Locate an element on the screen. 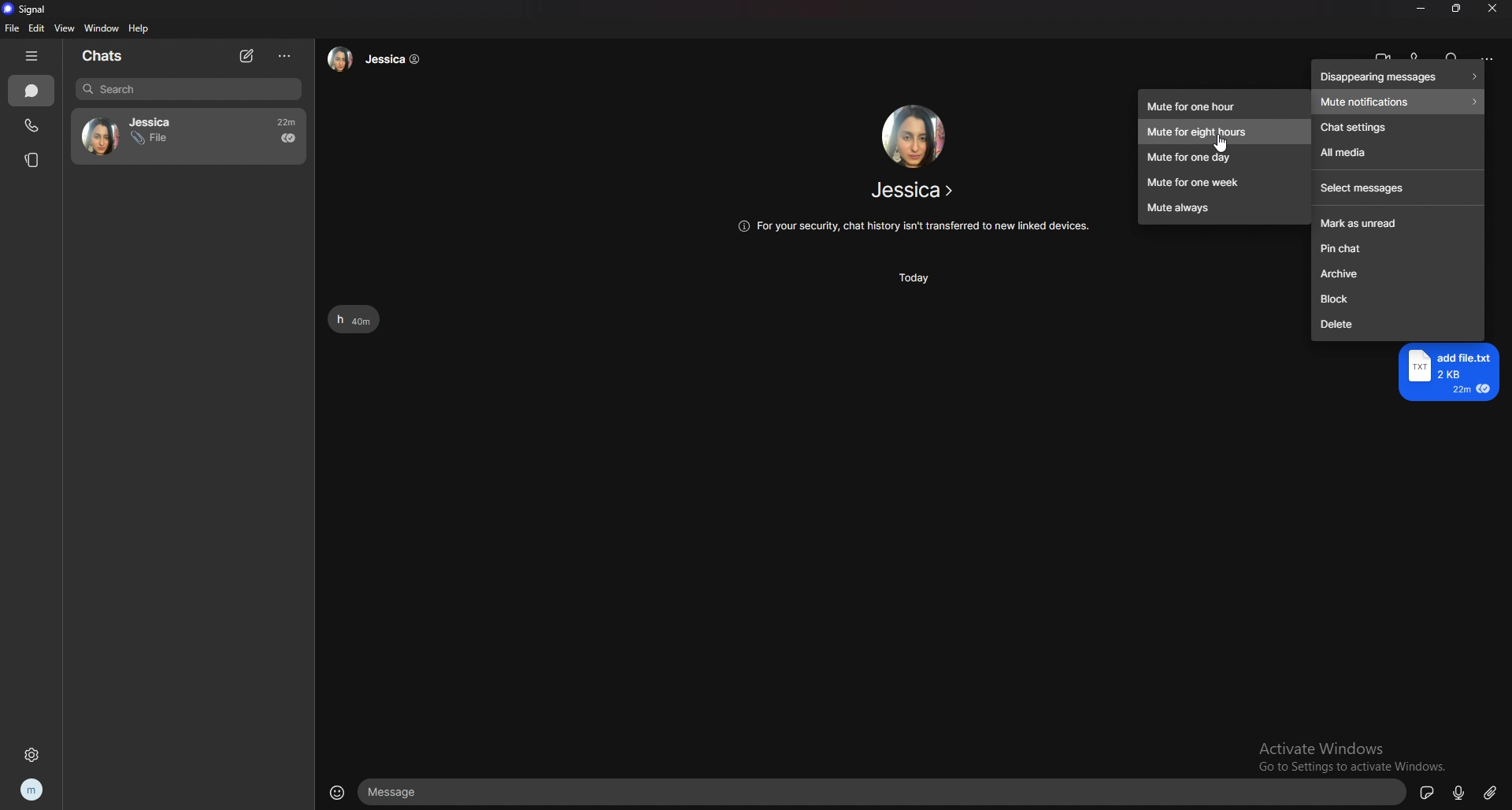 Image resolution: width=1512 pixels, height=810 pixels. seen is located at coordinates (288, 138).